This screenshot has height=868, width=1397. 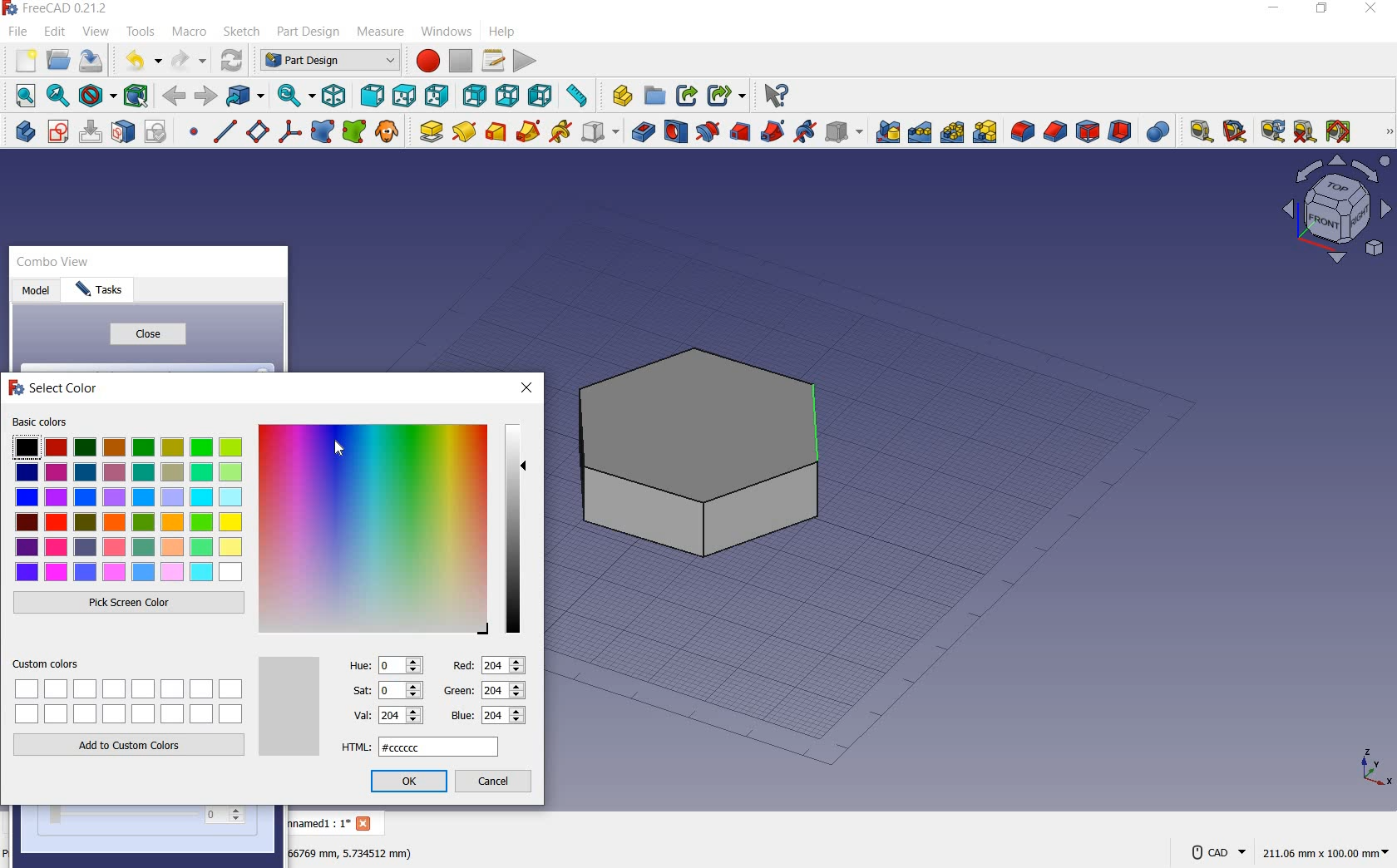 What do you see at coordinates (420, 747) in the screenshot?
I see `HTML: #cccccc` at bounding box center [420, 747].